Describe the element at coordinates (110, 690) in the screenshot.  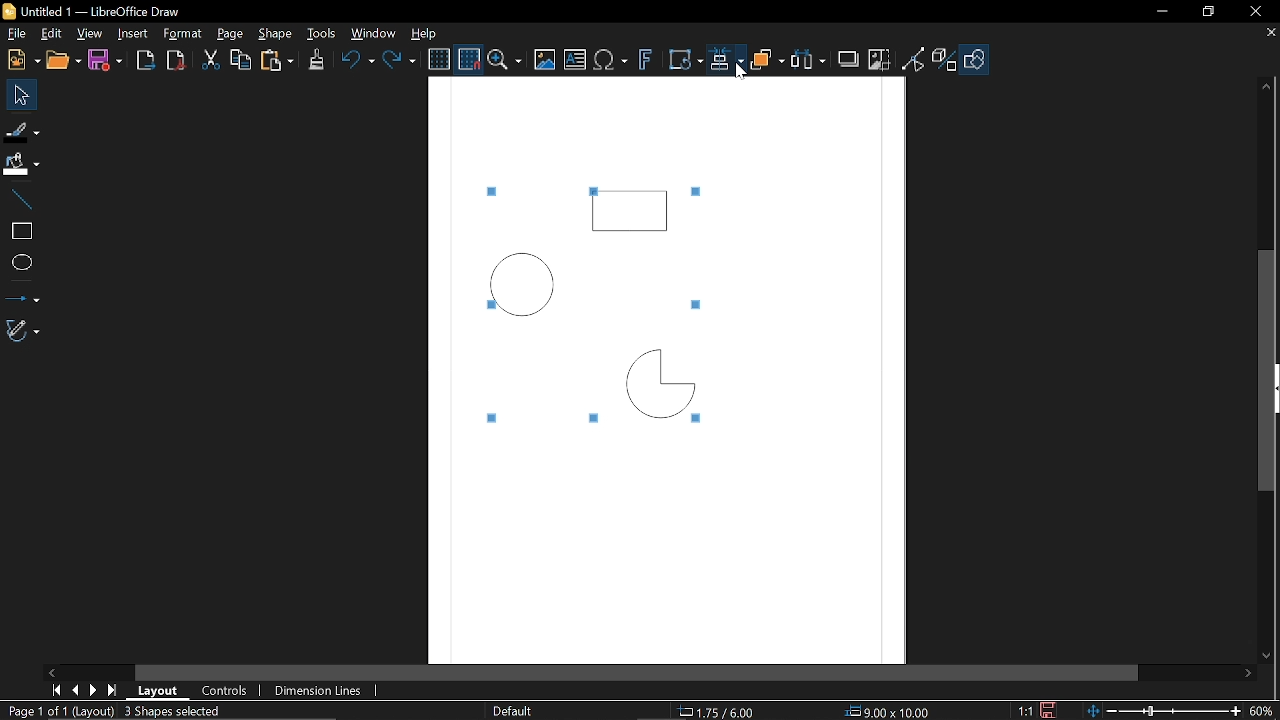
I see `last page` at that location.